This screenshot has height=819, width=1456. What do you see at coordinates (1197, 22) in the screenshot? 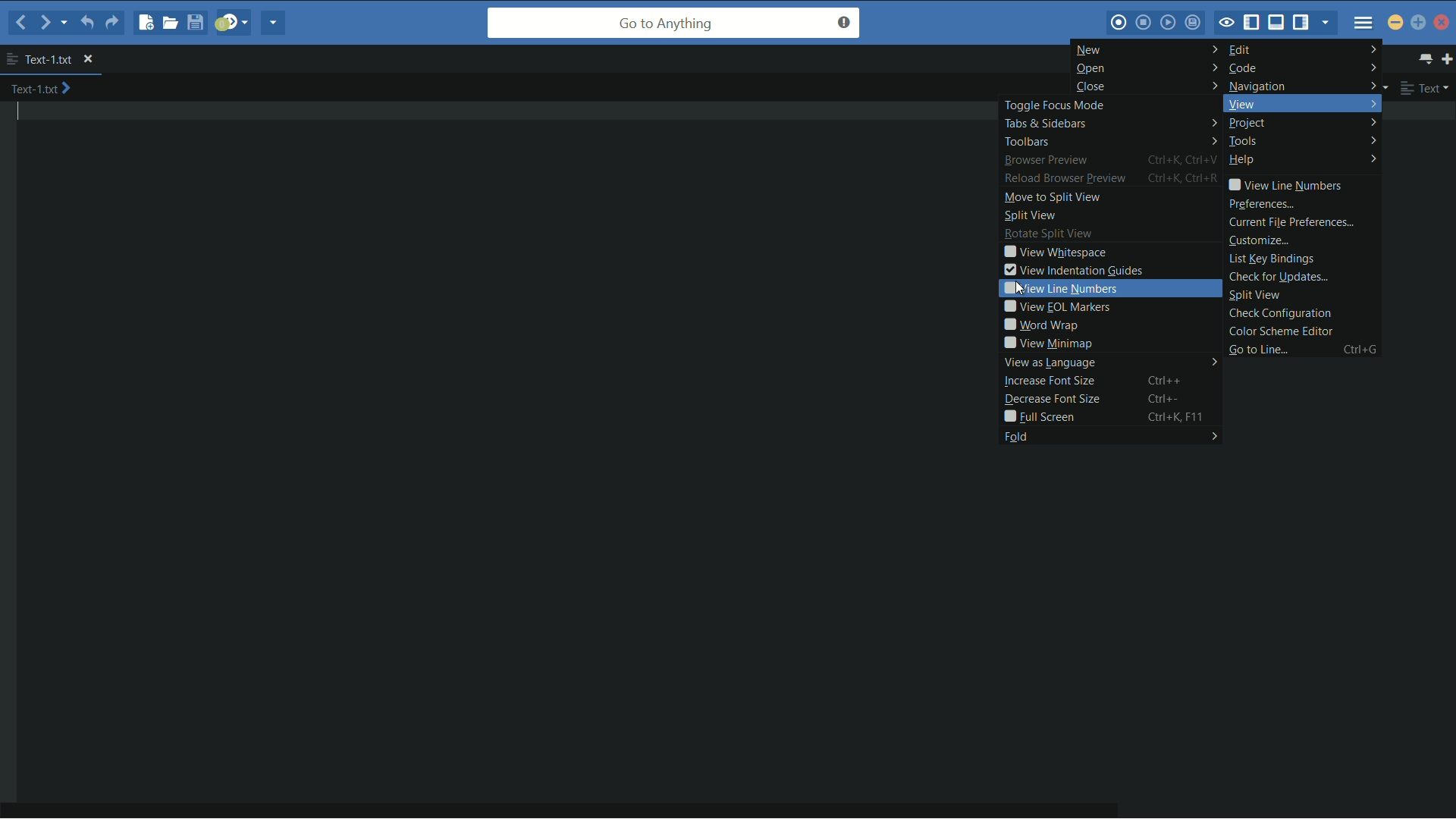
I see `save macro to toolbox` at bounding box center [1197, 22].